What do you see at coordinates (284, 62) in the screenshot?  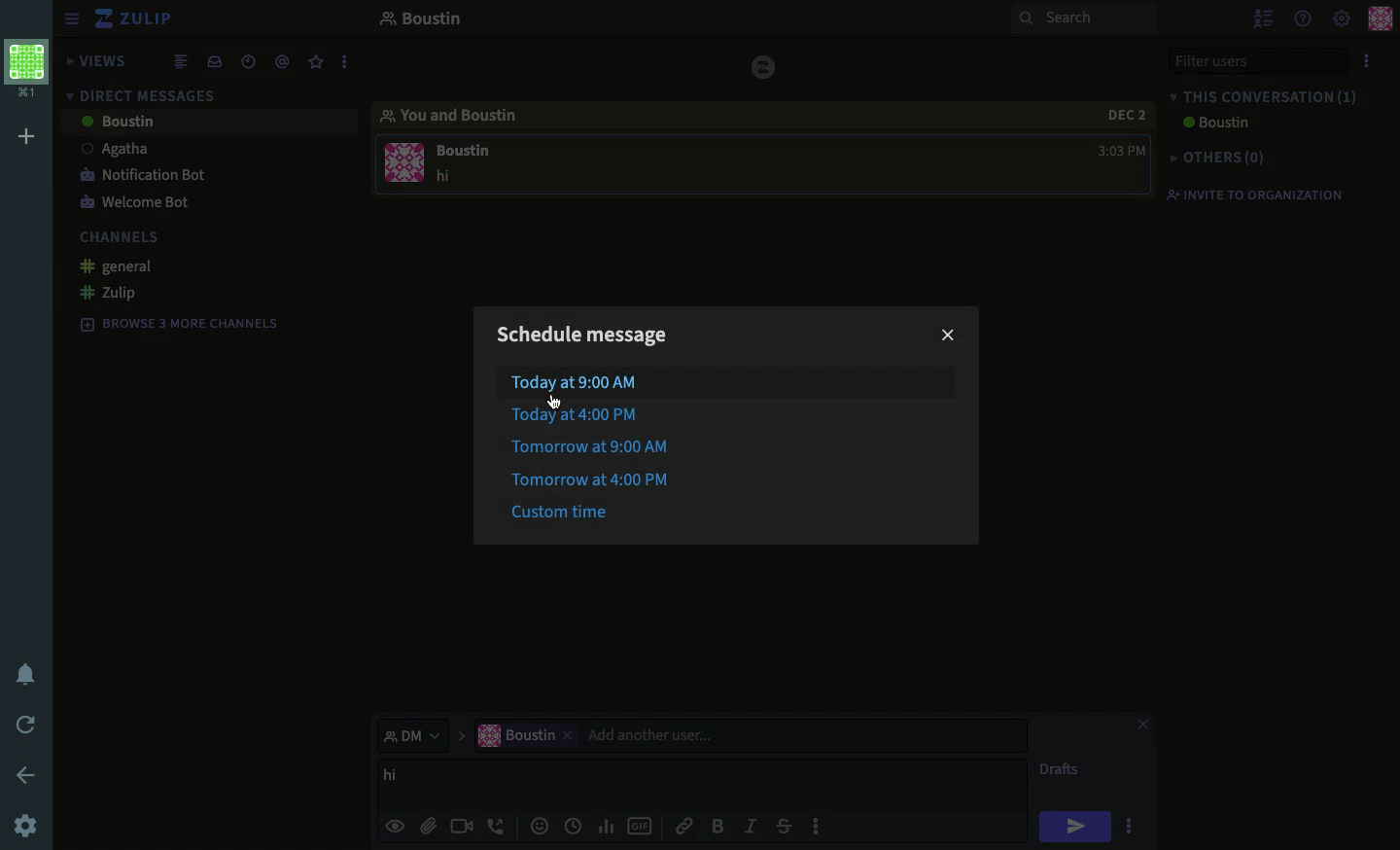 I see `mention` at bounding box center [284, 62].